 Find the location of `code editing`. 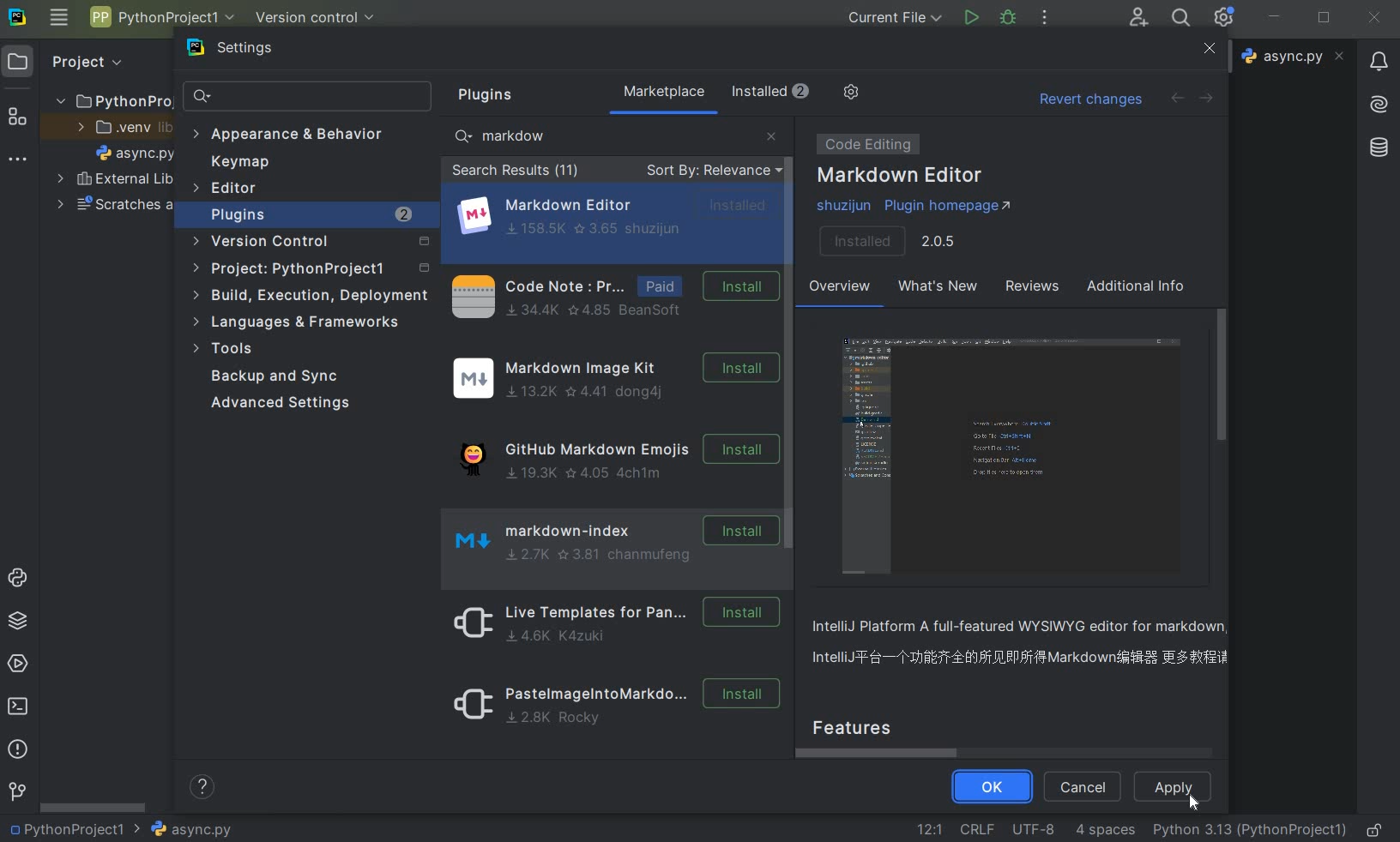

code editing is located at coordinates (865, 144).